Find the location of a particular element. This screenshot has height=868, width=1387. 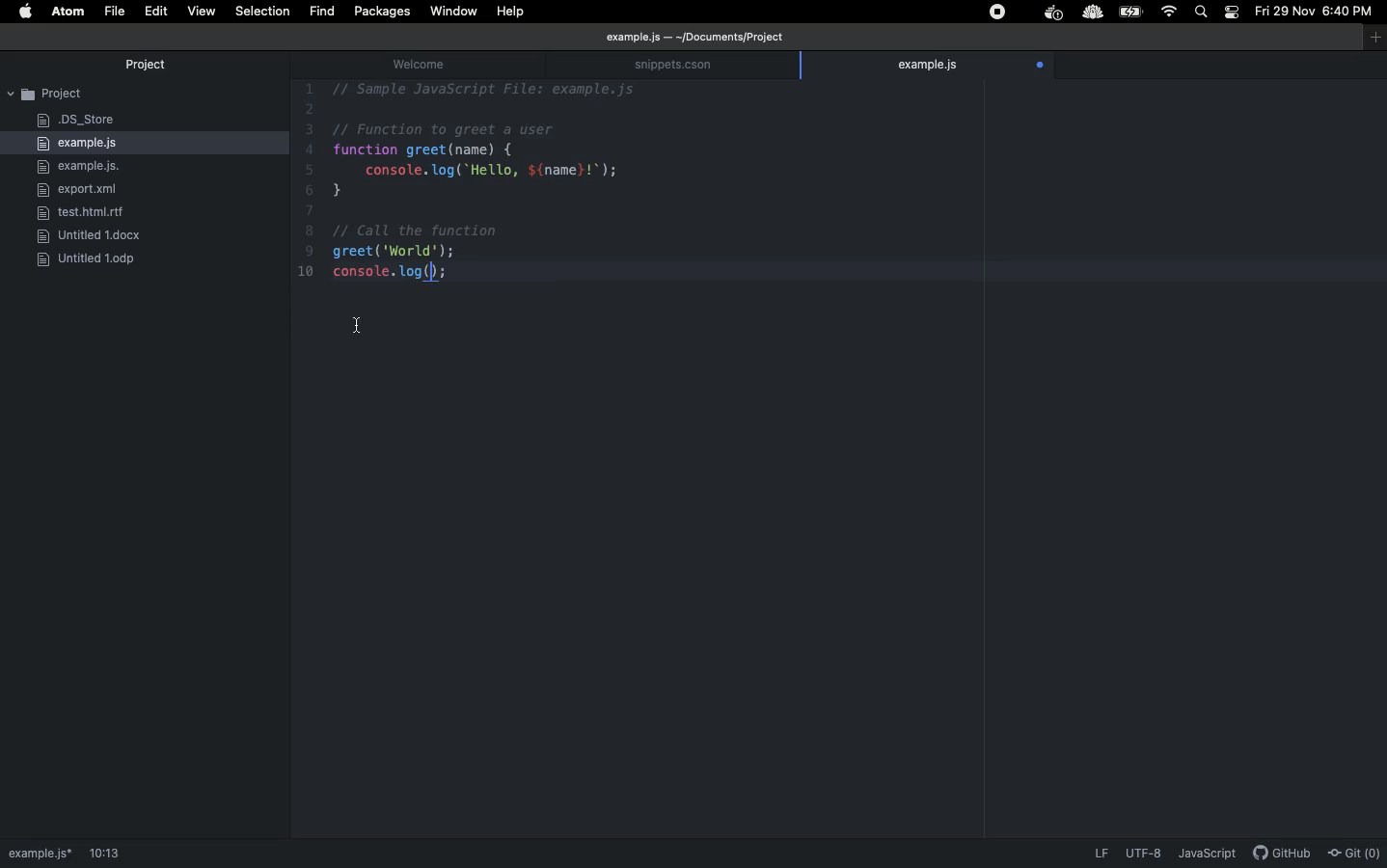

Project is located at coordinates (145, 94).